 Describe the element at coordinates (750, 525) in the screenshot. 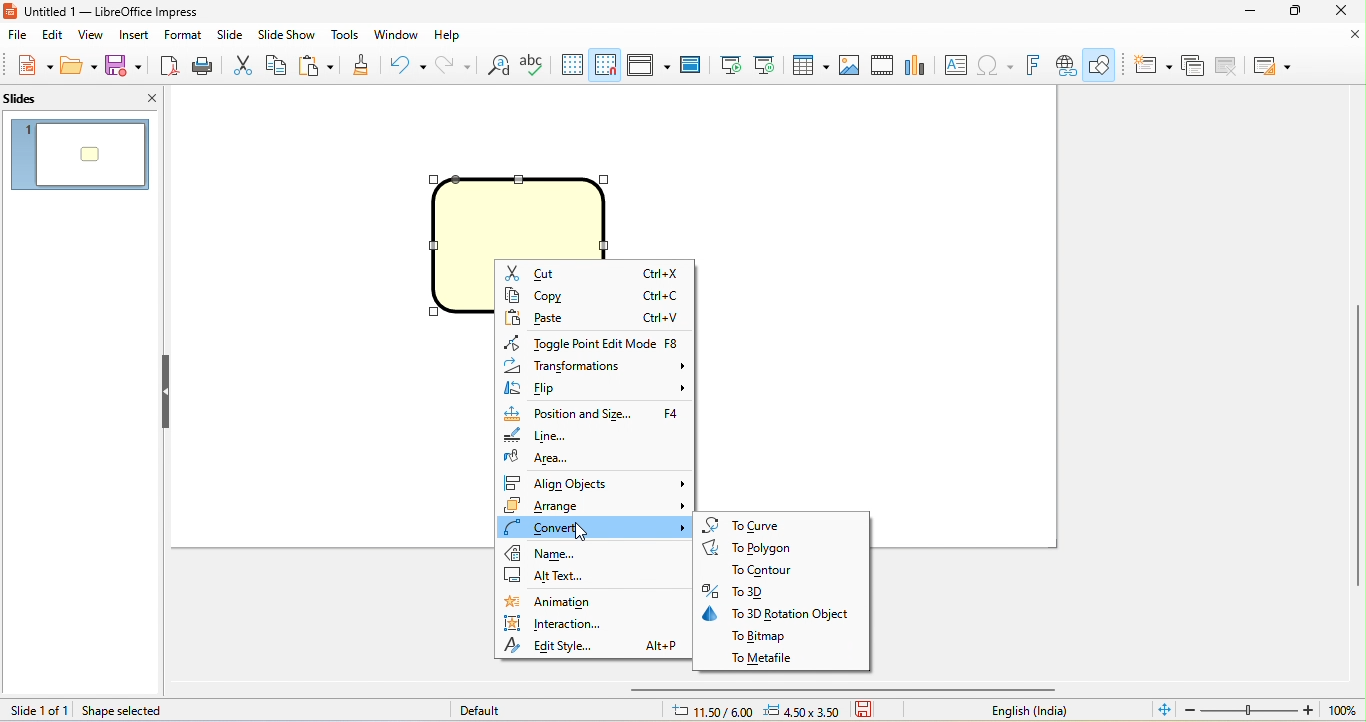

I see `to curve` at that location.